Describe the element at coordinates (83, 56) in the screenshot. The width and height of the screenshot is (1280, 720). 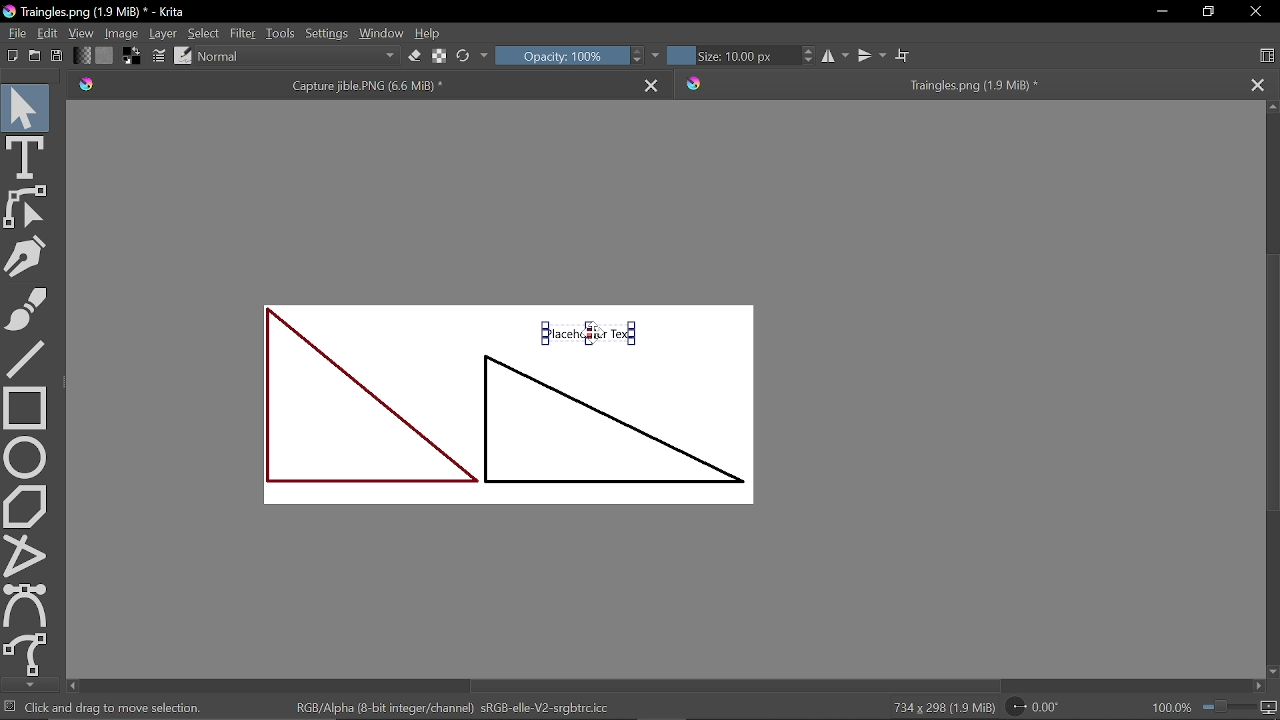
I see `Fill gradient` at that location.